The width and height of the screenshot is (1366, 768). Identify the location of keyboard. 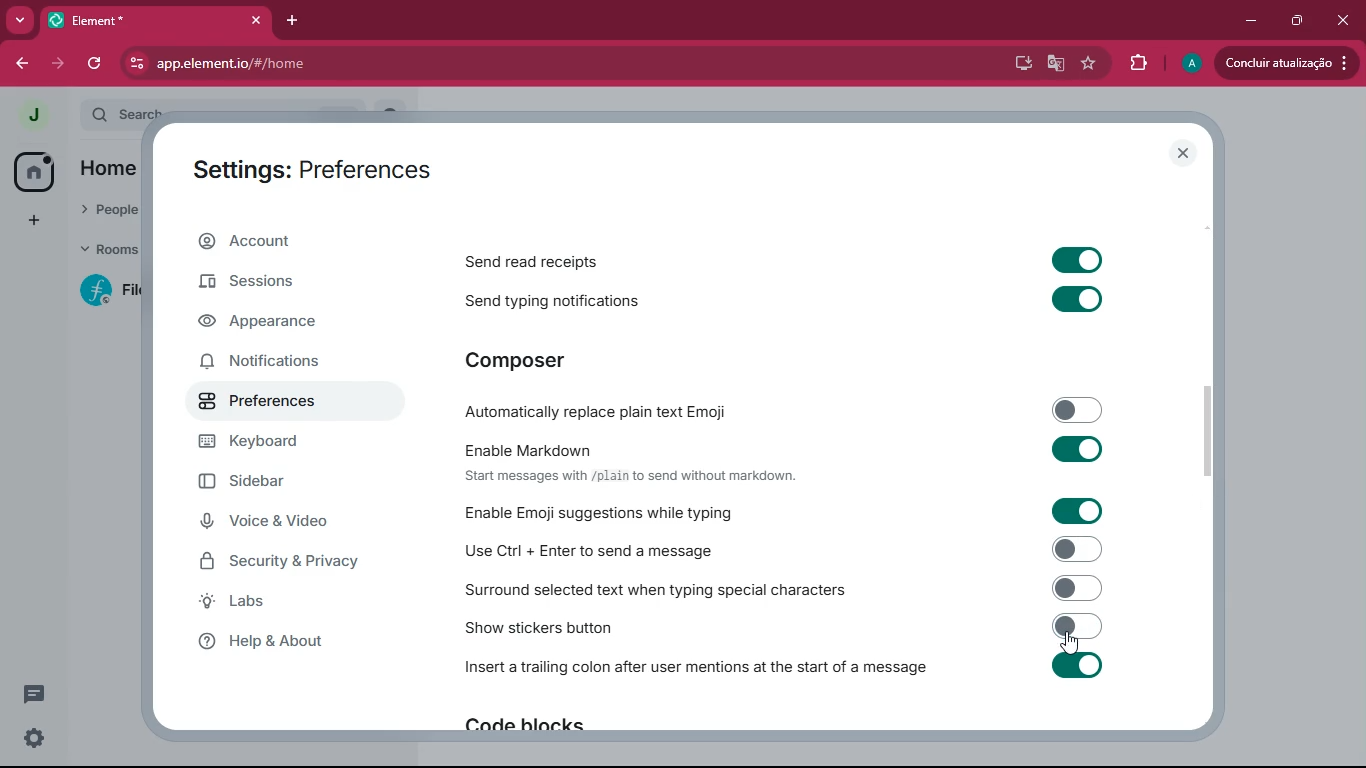
(273, 444).